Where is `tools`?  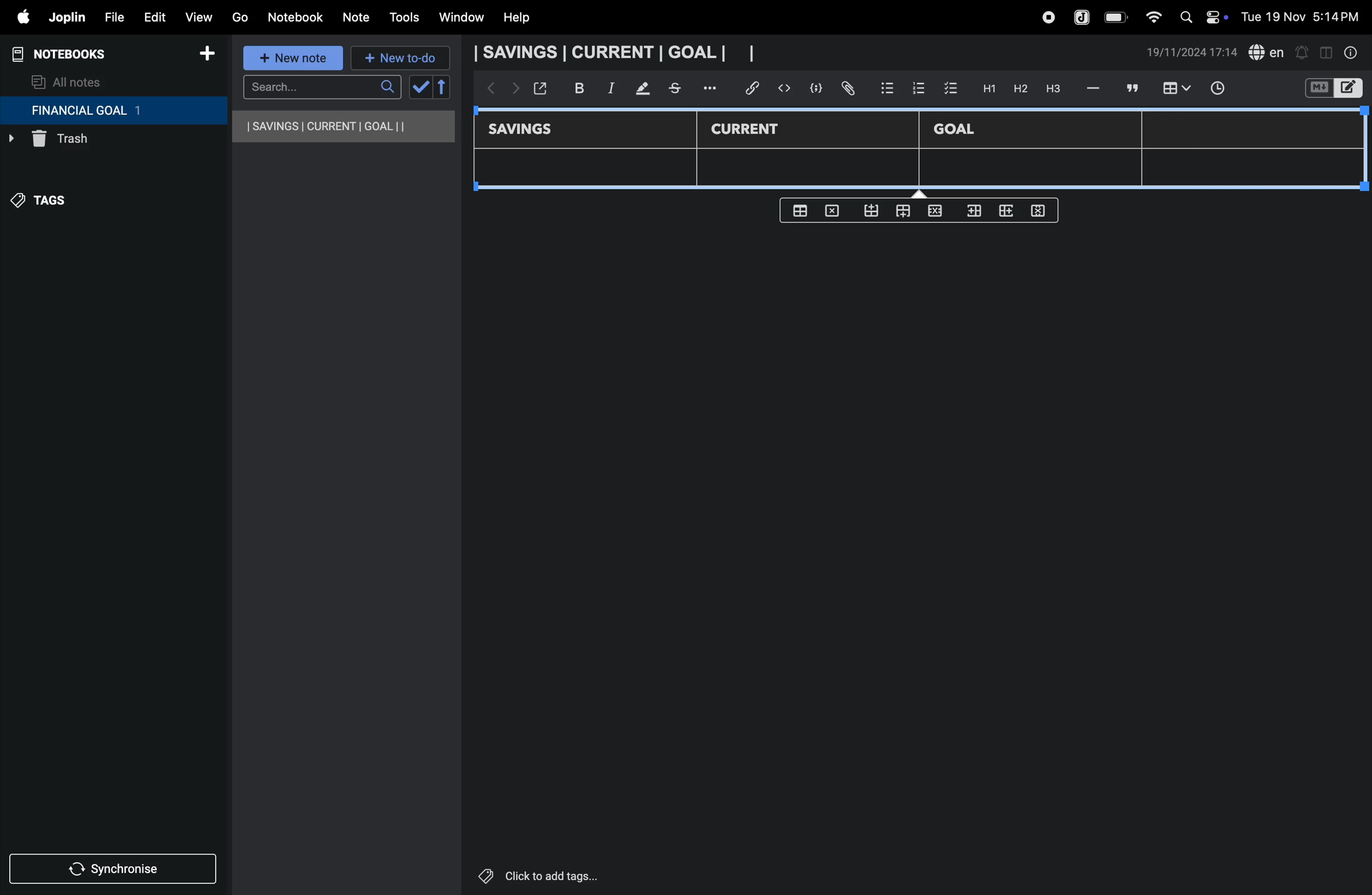 tools is located at coordinates (402, 17).